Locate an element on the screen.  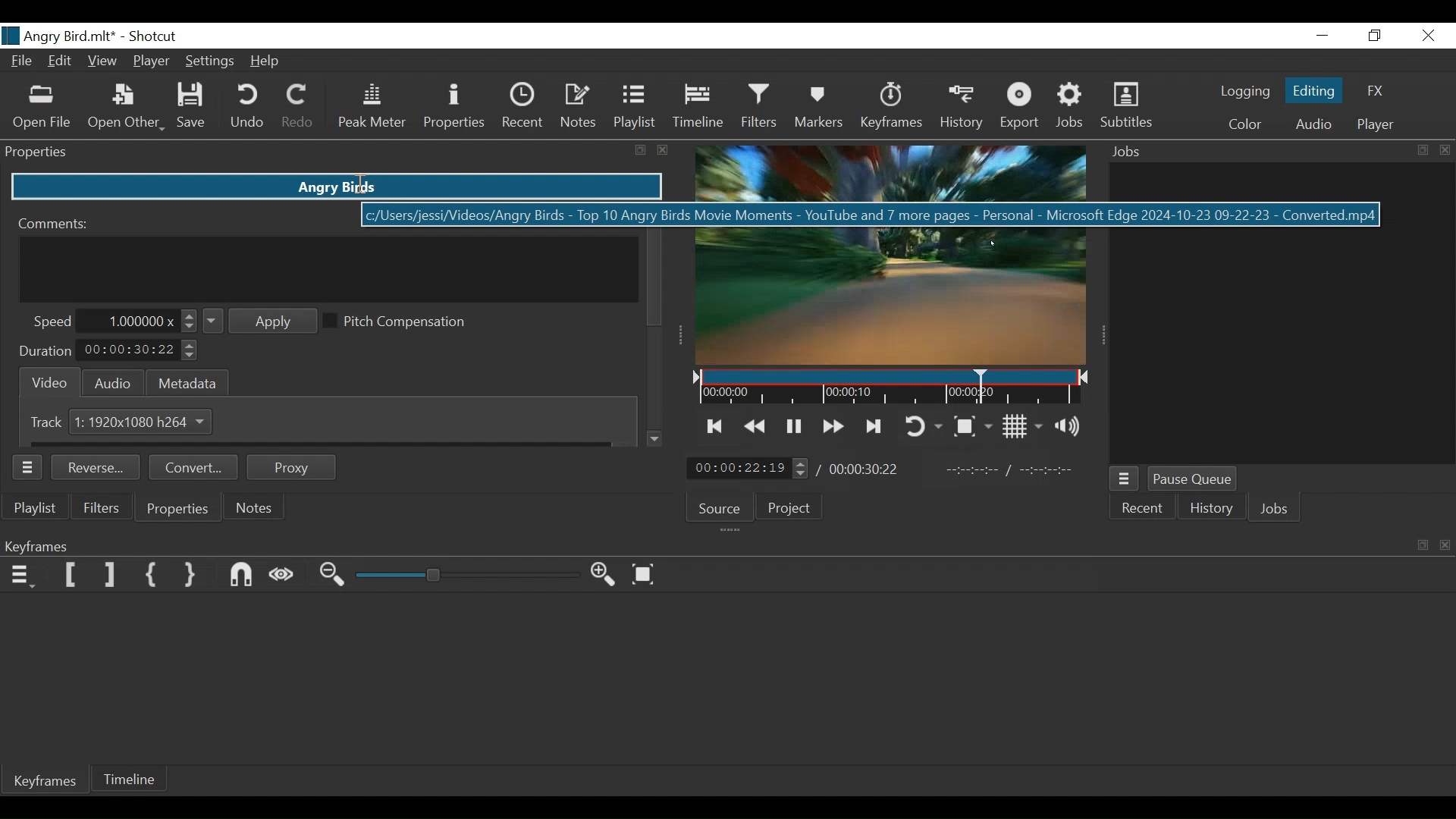
scale is located at coordinates (888, 391).